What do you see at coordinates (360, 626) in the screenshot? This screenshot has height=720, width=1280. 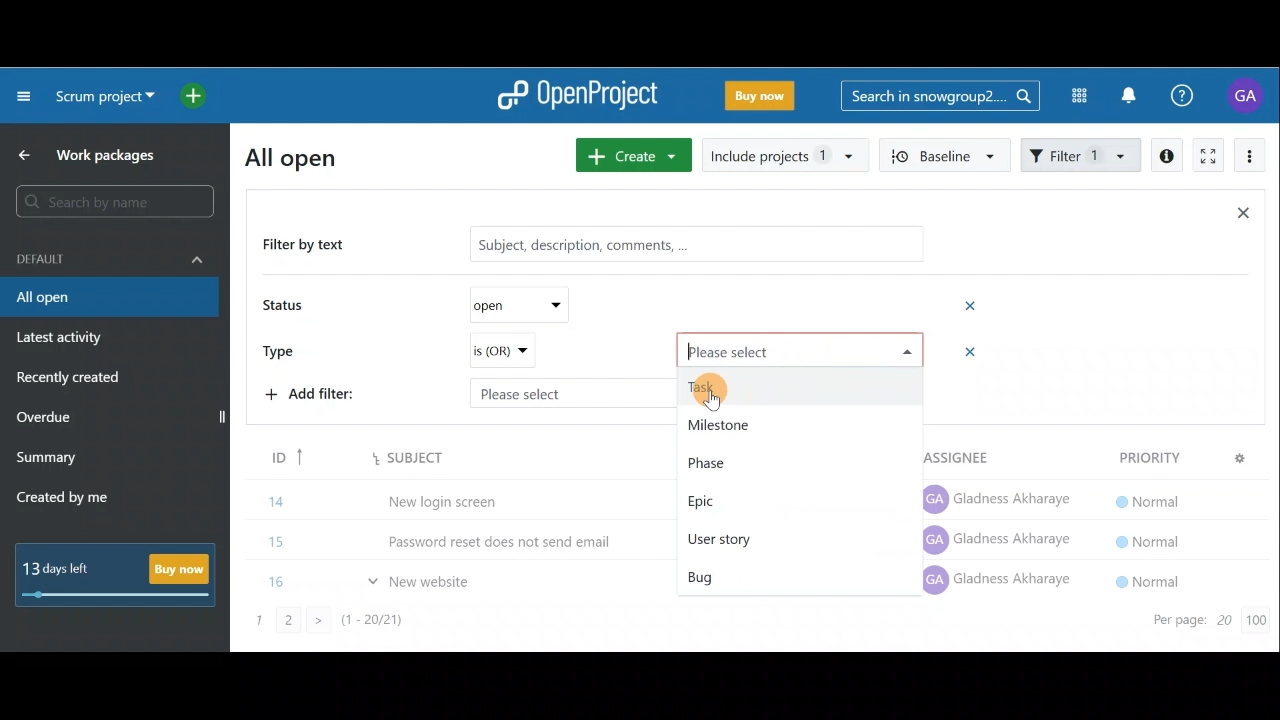 I see `Page number` at bounding box center [360, 626].